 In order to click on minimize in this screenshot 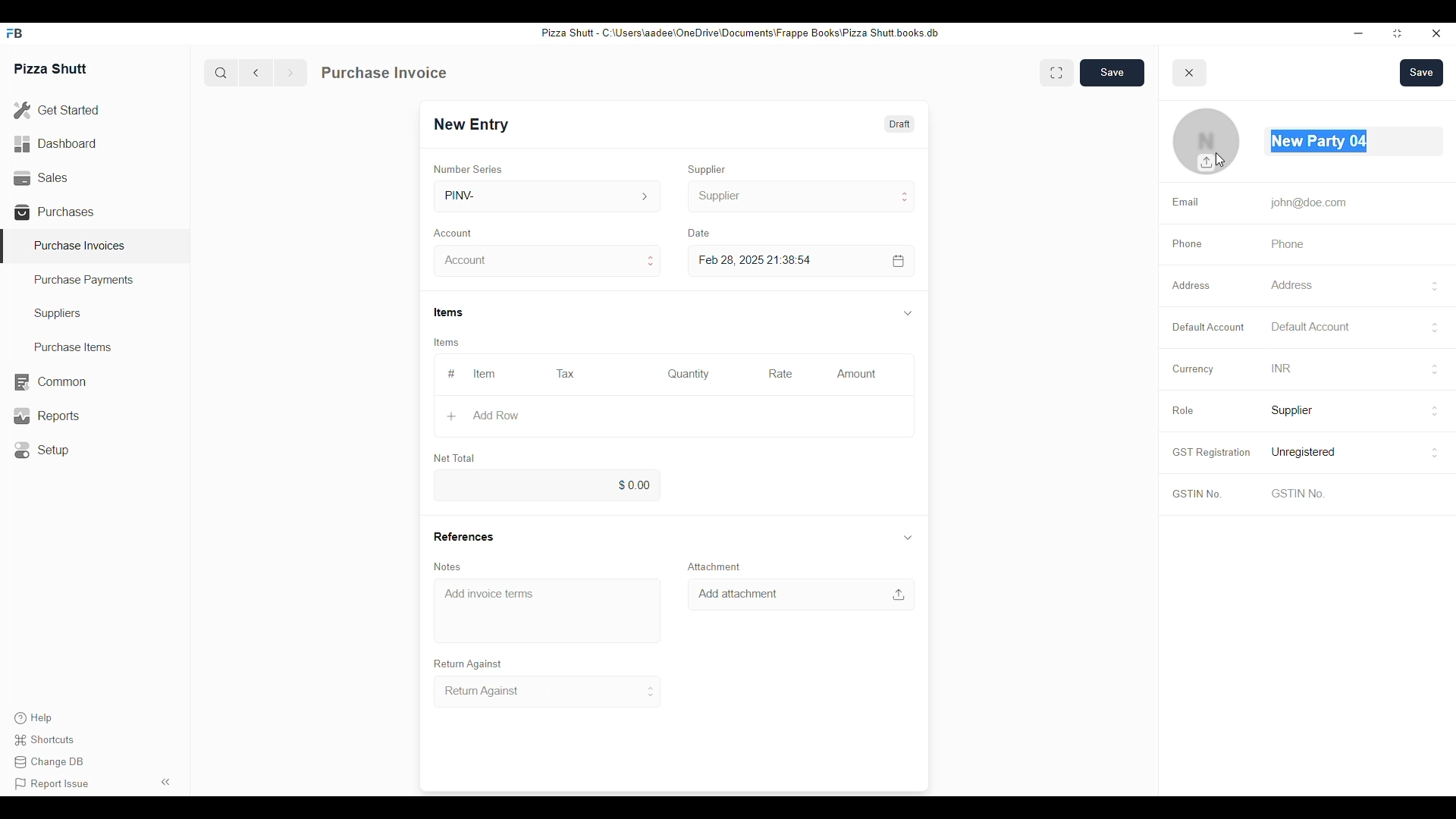, I will do `click(1358, 33)`.